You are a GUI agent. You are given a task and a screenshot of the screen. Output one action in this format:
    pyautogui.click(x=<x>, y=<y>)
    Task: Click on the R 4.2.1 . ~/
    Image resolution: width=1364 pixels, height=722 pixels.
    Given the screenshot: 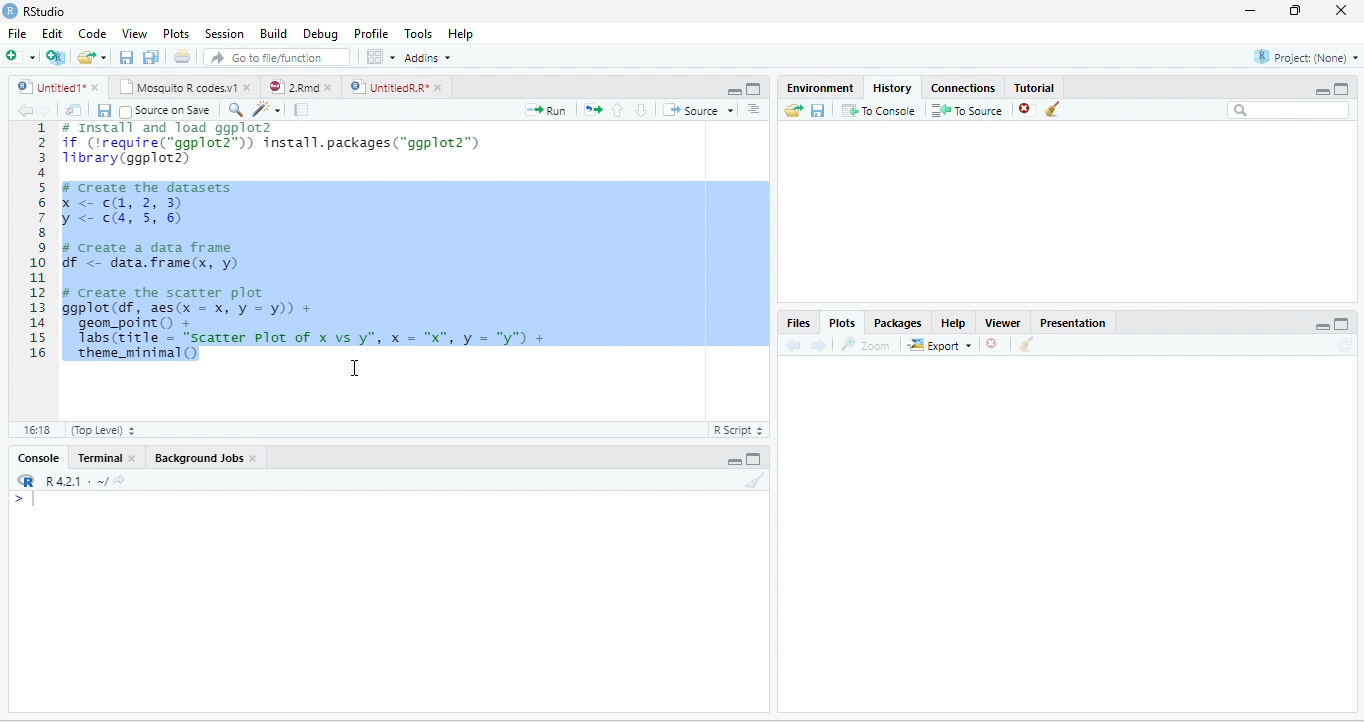 What is the action you would take?
    pyautogui.click(x=75, y=481)
    